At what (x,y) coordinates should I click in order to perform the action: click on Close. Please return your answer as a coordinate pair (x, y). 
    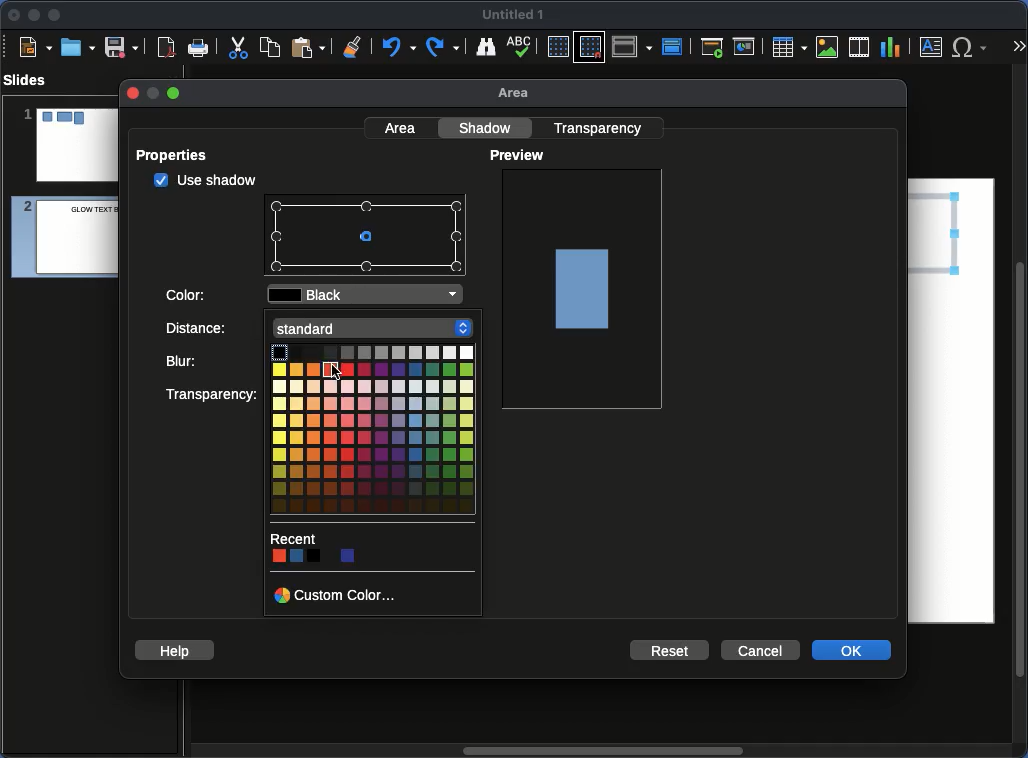
    Looking at the image, I should click on (15, 15).